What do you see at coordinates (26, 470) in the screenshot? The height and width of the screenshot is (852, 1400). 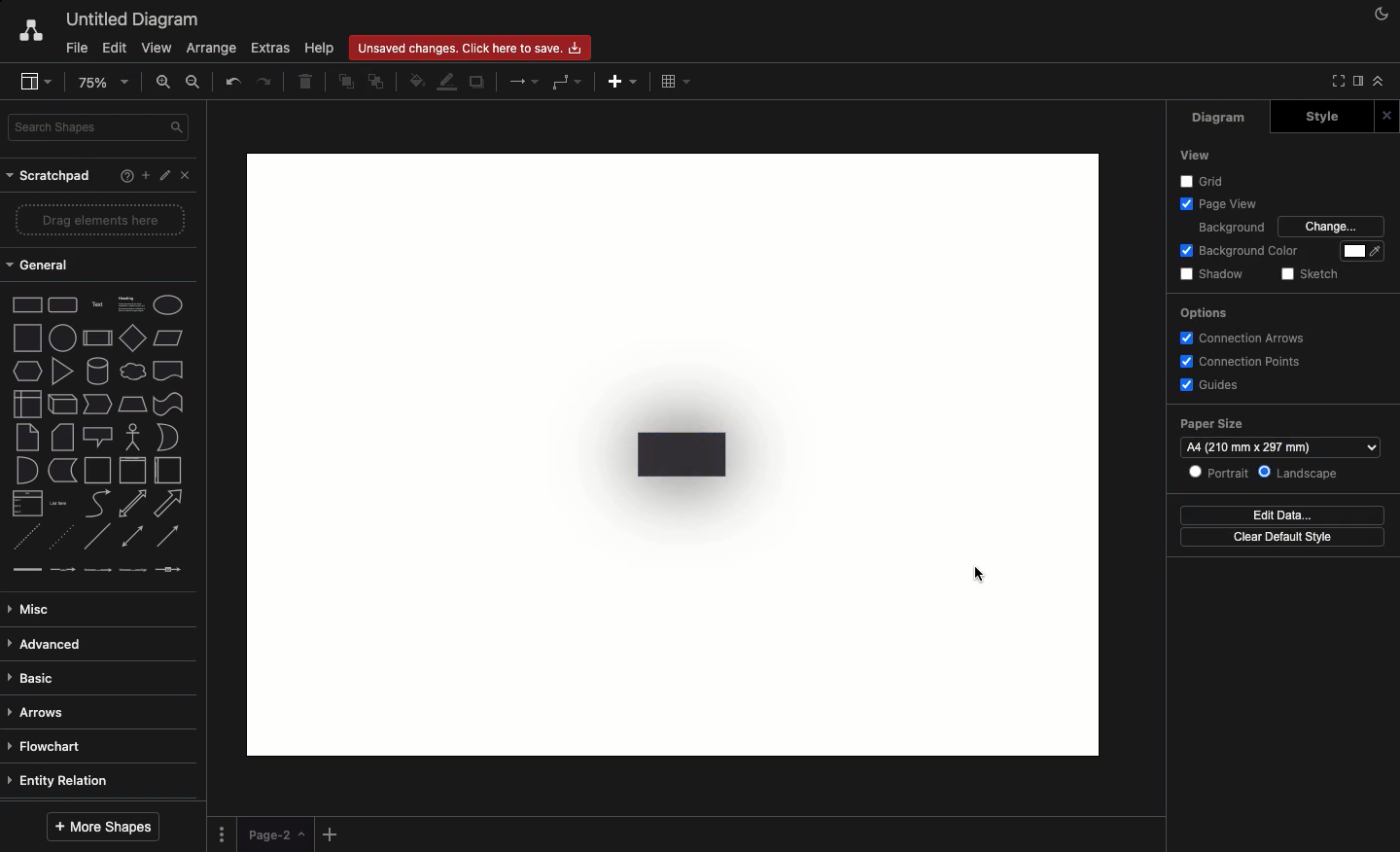 I see `and` at bounding box center [26, 470].